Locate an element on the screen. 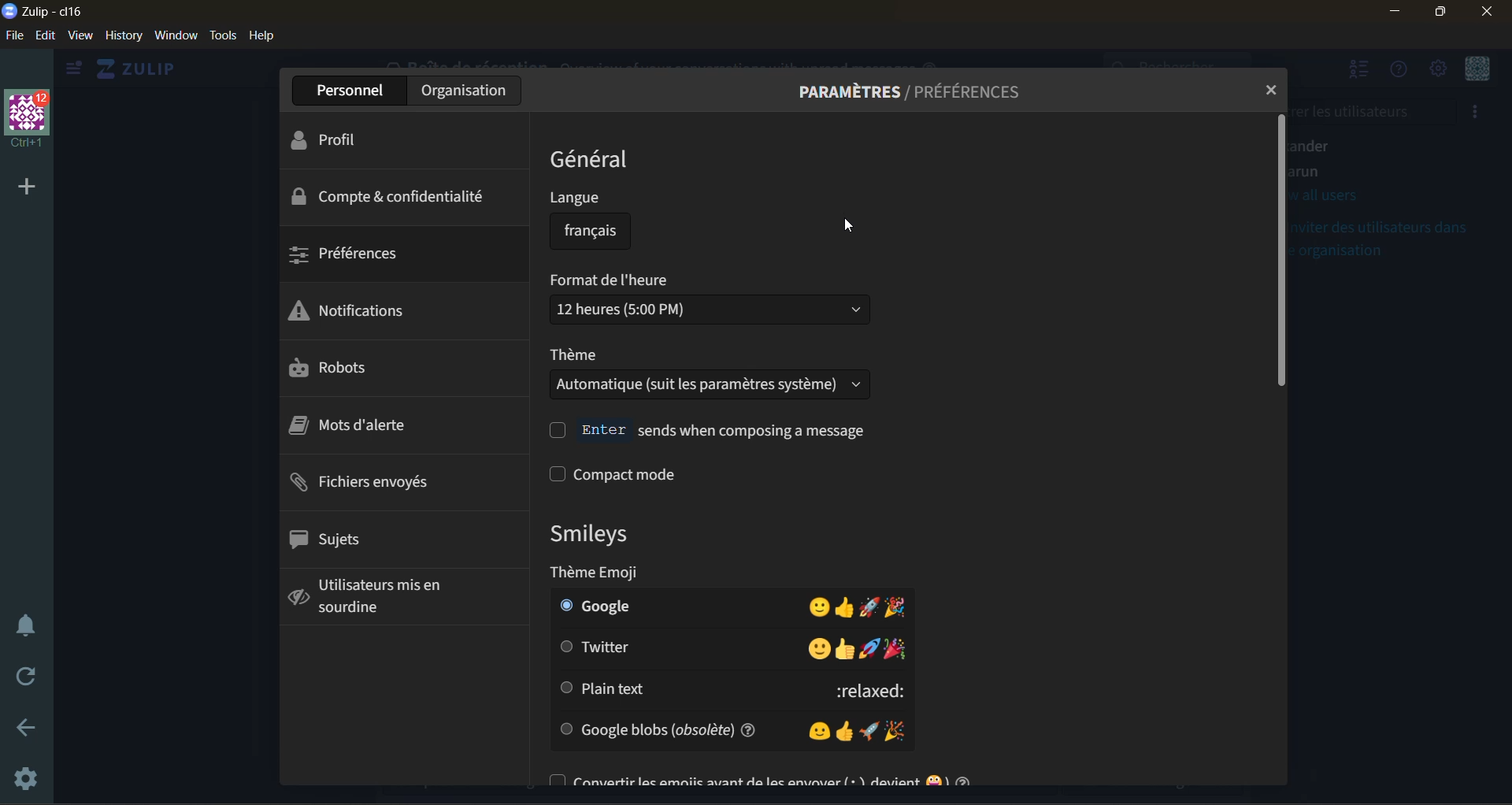  notifications is located at coordinates (353, 312).